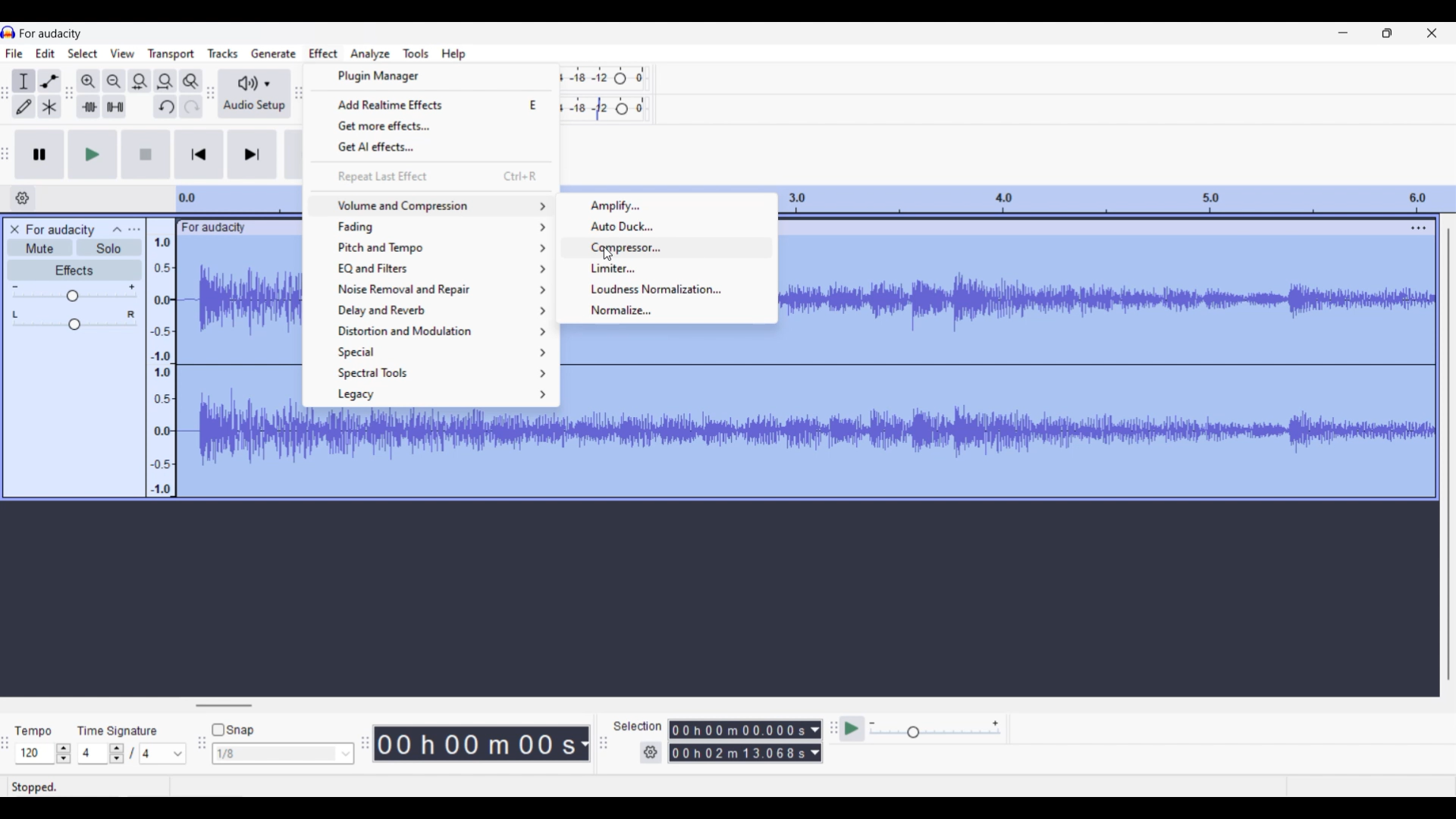 This screenshot has height=819, width=1456. What do you see at coordinates (666, 268) in the screenshot?
I see `Limiter` at bounding box center [666, 268].